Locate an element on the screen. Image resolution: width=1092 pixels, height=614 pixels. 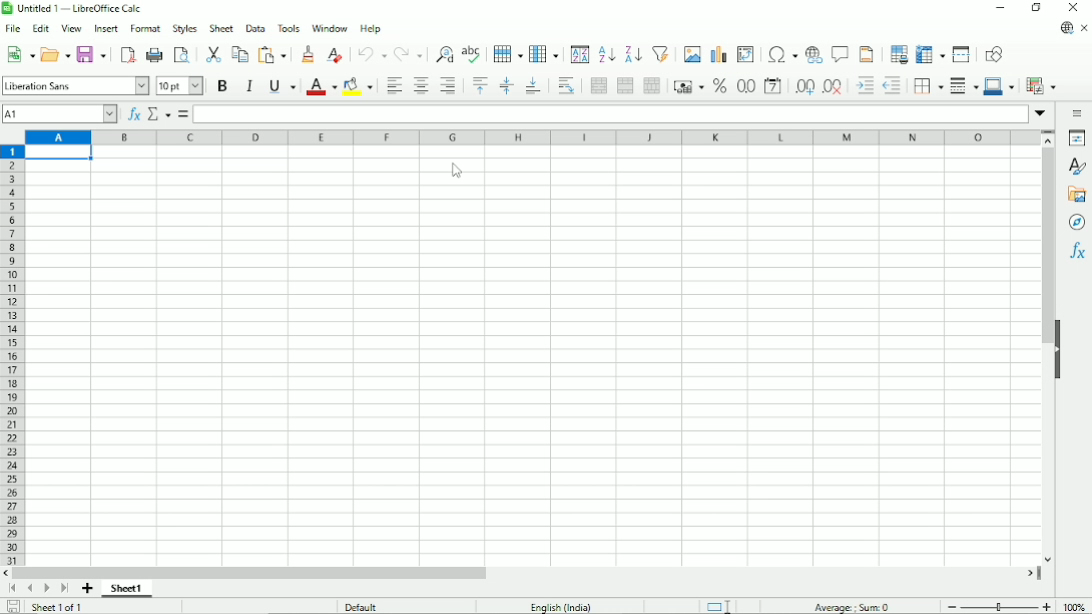
Text color is located at coordinates (321, 86).